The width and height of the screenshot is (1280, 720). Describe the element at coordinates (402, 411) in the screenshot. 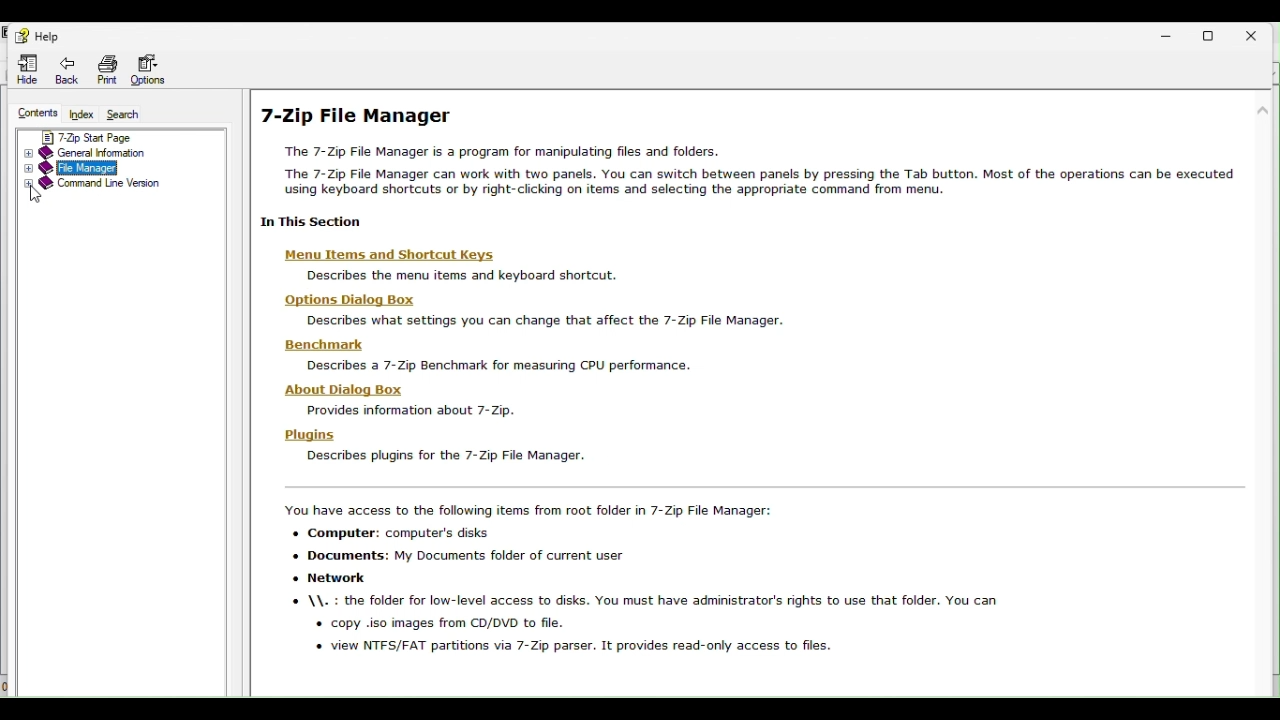

I see `Provides information about 7-Zip.` at that location.